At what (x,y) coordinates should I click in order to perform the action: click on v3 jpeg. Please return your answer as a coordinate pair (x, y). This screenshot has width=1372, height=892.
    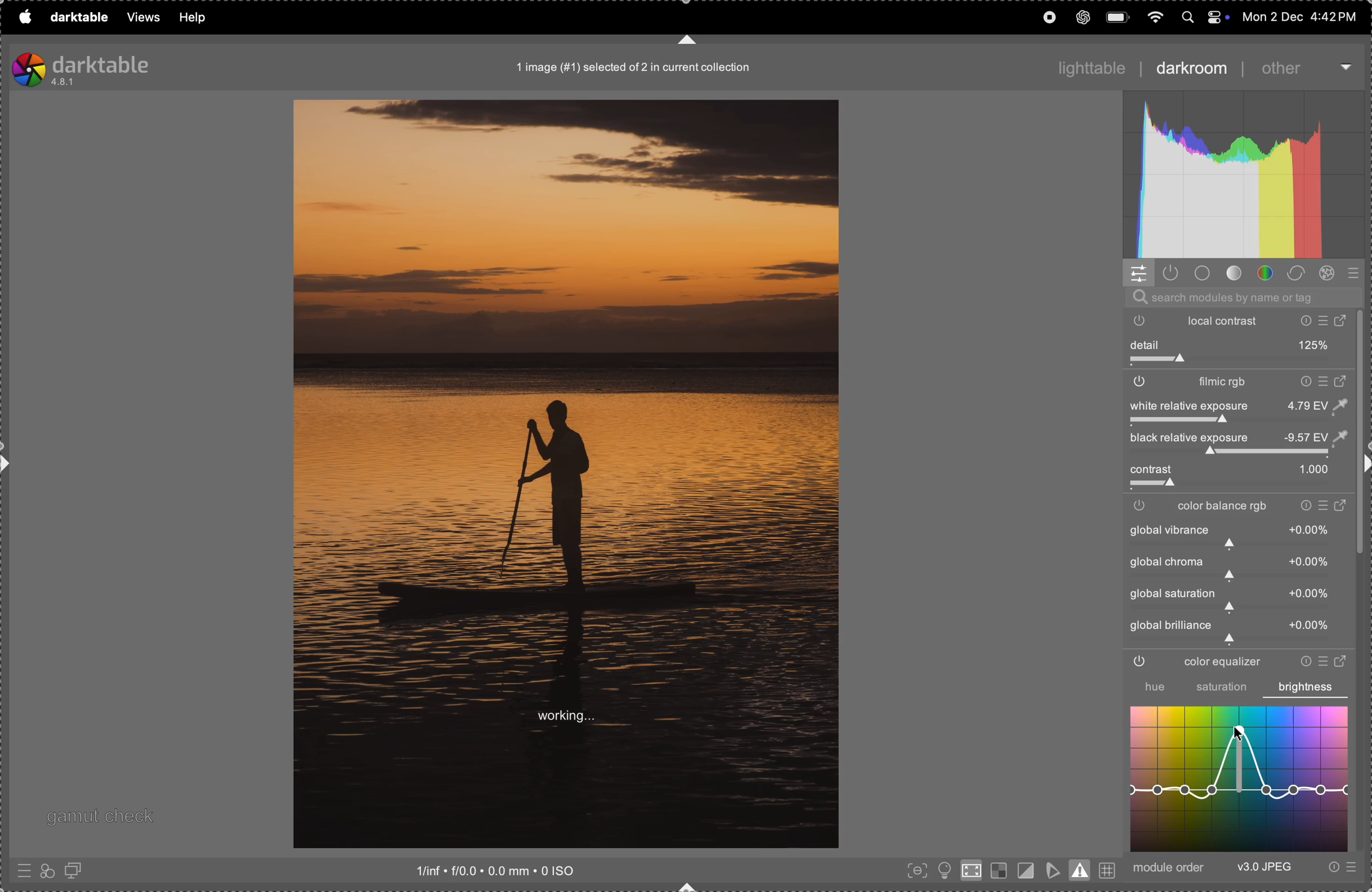
    Looking at the image, I should click on (1264, 868).